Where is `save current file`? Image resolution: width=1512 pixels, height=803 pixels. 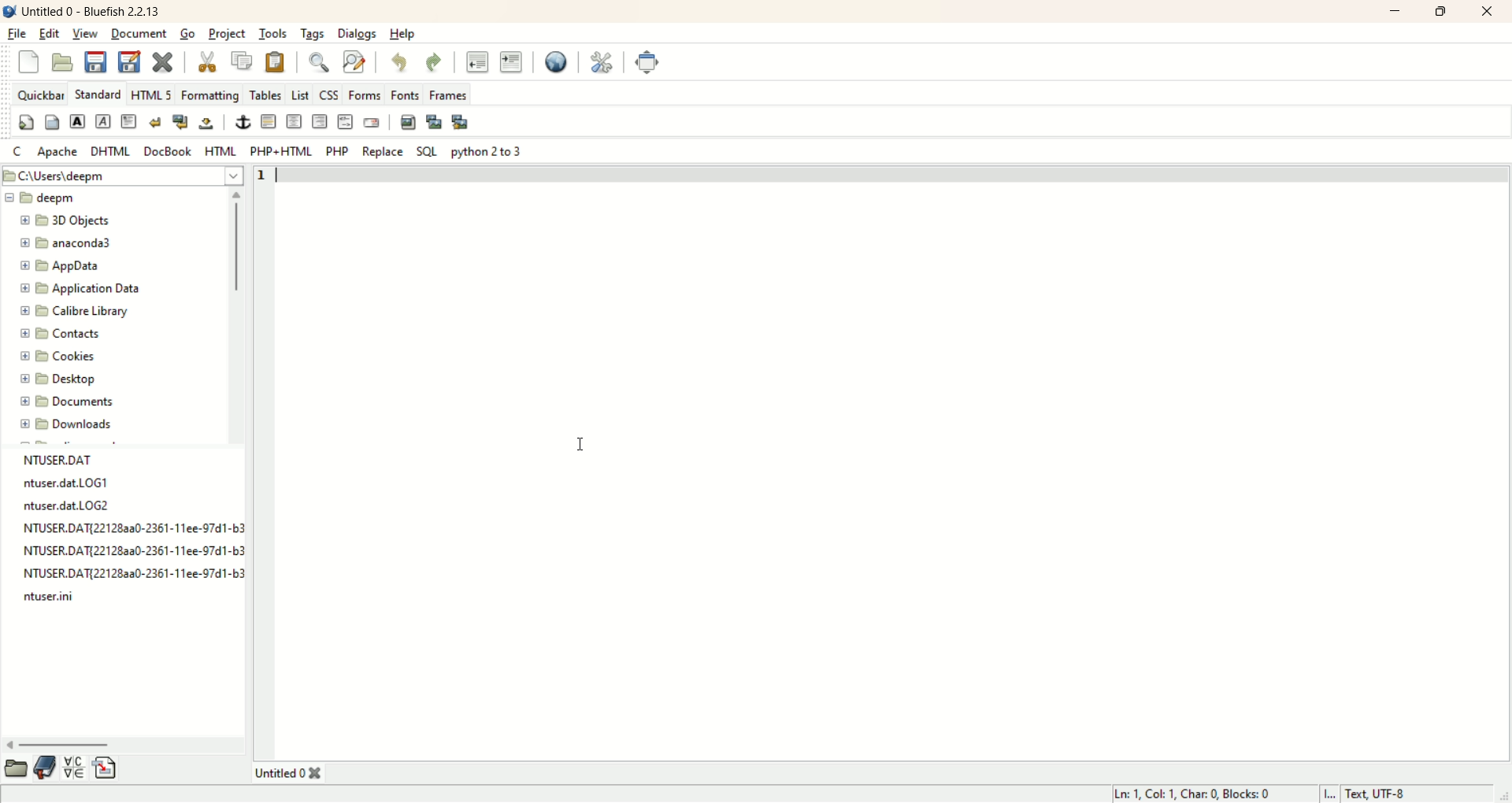 save current file is located at coordinates (98, 61).